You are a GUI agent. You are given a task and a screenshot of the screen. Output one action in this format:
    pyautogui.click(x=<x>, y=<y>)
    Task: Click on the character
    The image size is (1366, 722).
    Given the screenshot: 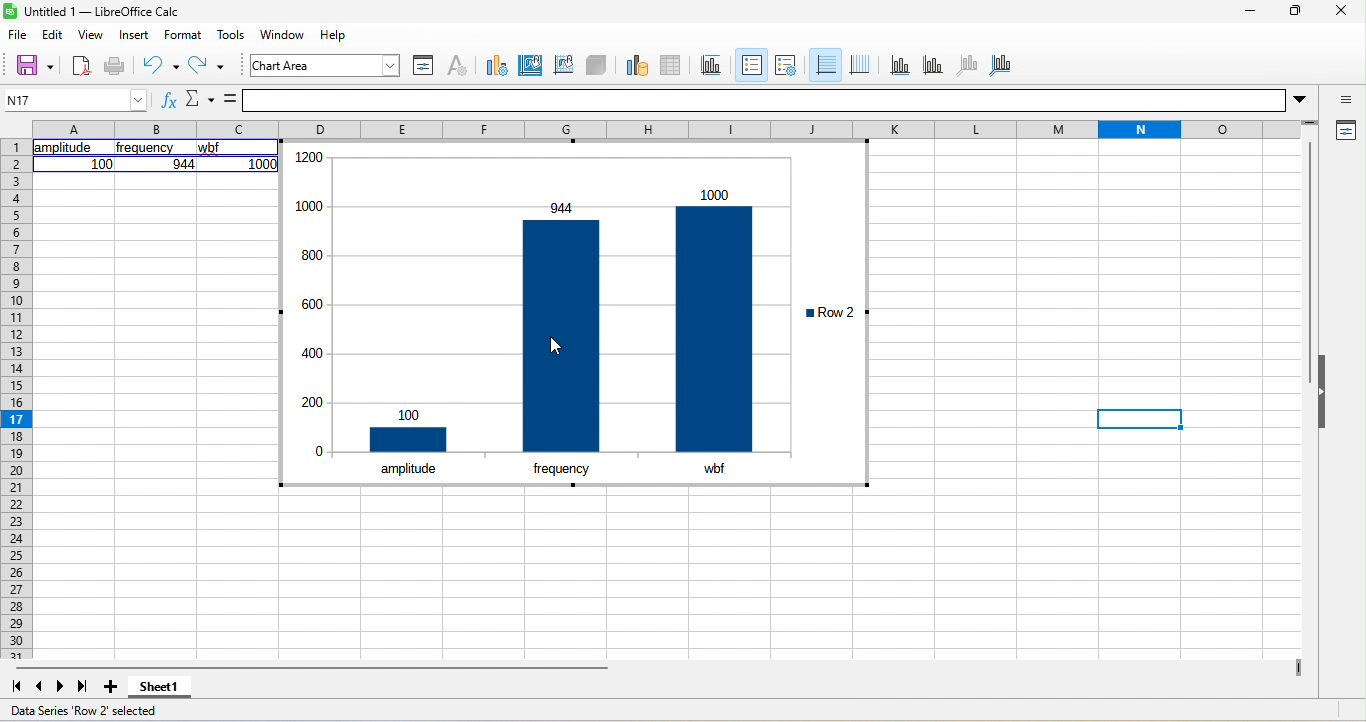 What is the action you would take?
    pyautogui.click(x=459, y=65)
    